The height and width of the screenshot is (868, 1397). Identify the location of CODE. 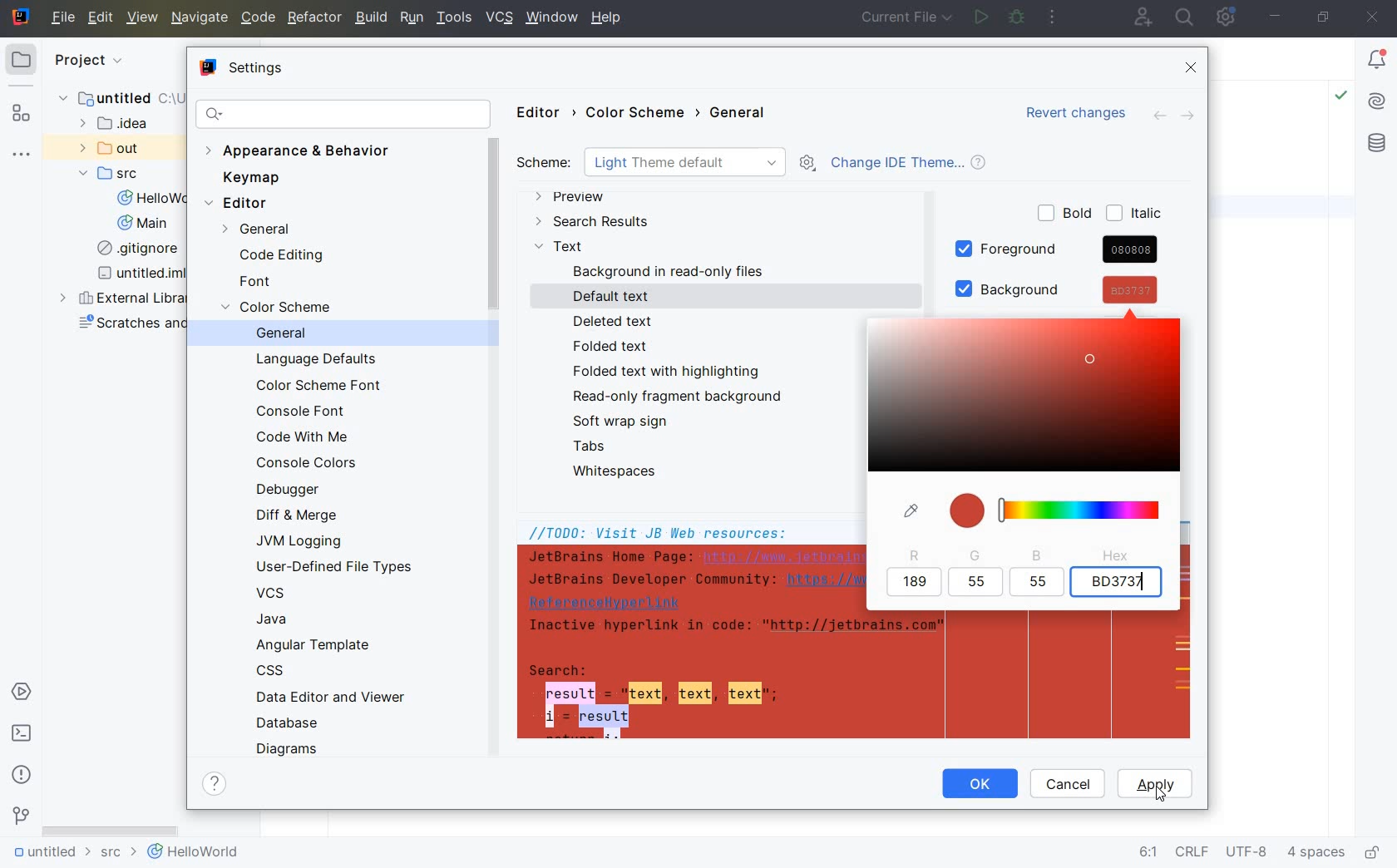
(258, 19).